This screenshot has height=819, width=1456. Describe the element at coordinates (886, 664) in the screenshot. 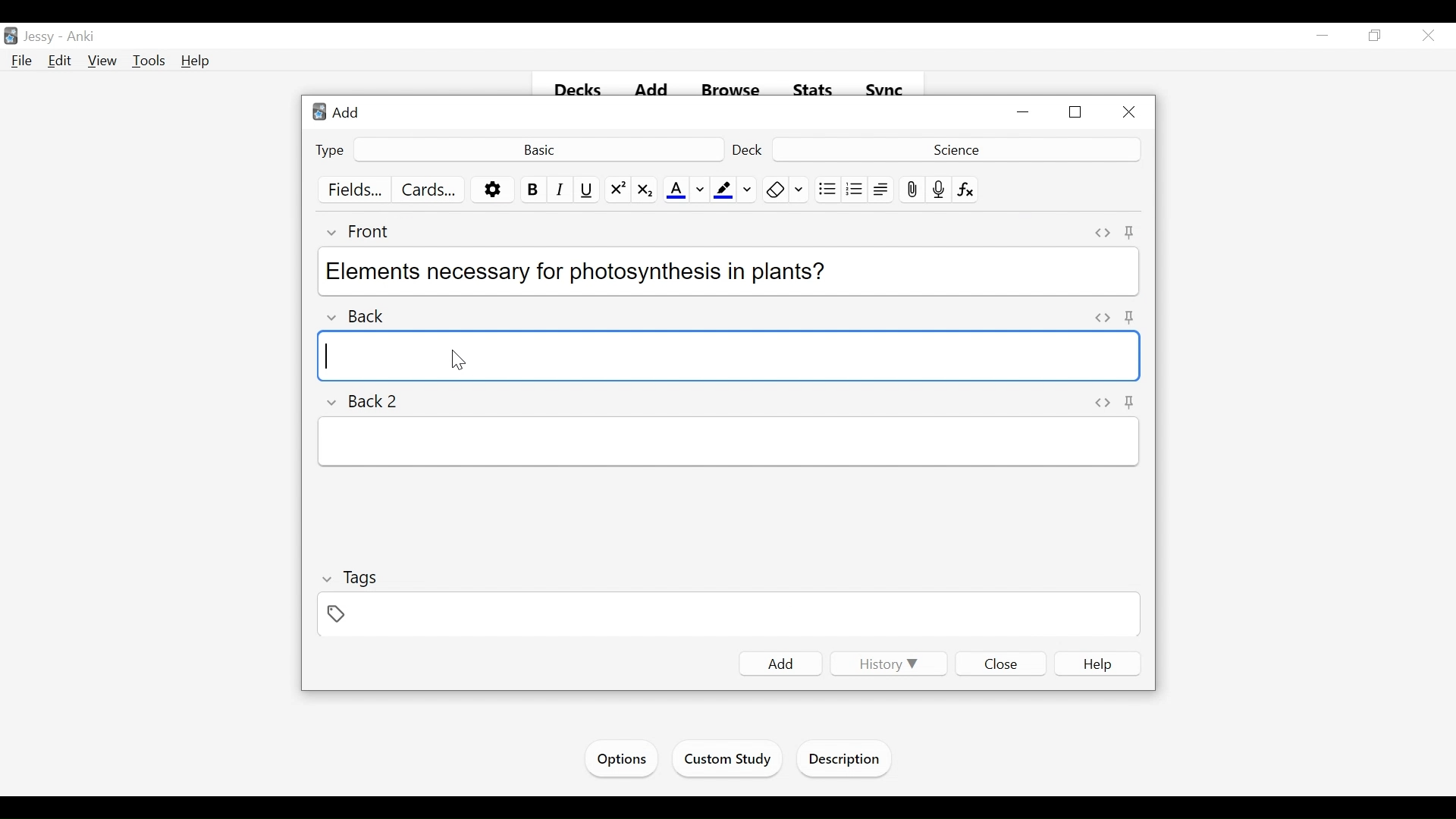

I see `History` at that location.